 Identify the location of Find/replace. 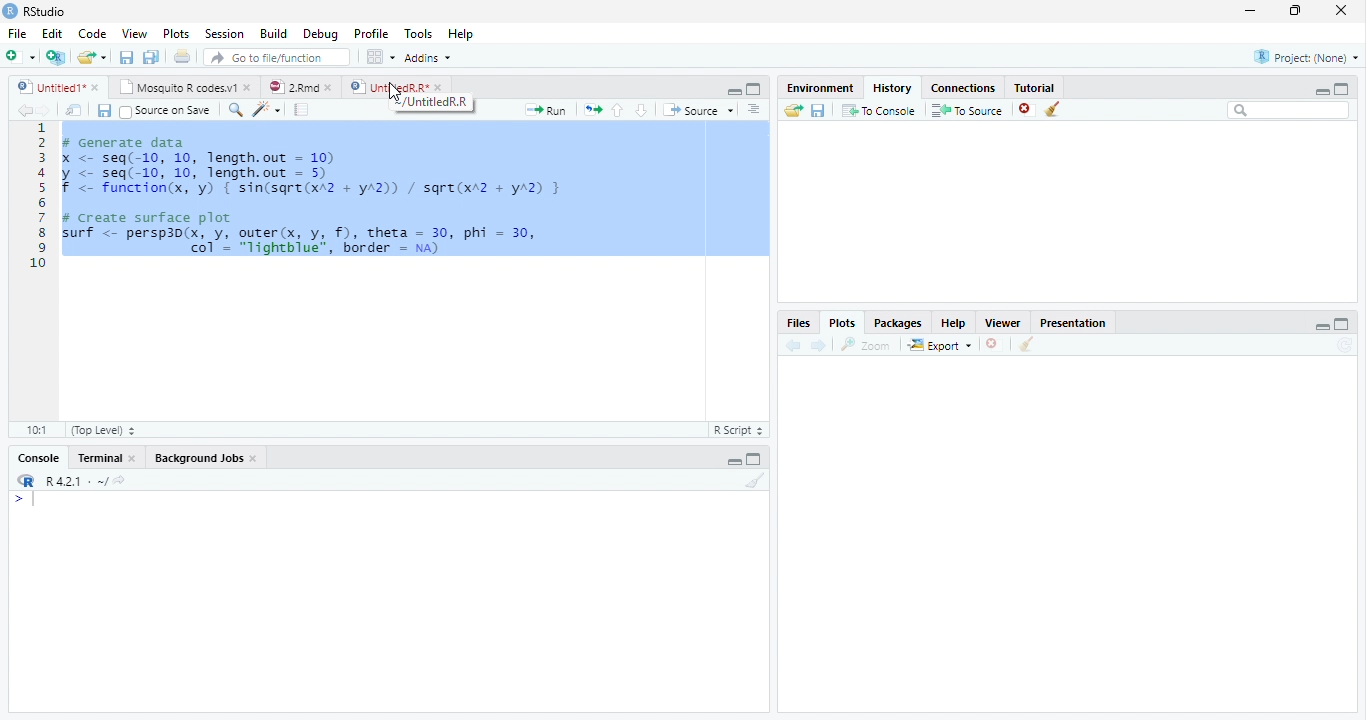
(234, 110).